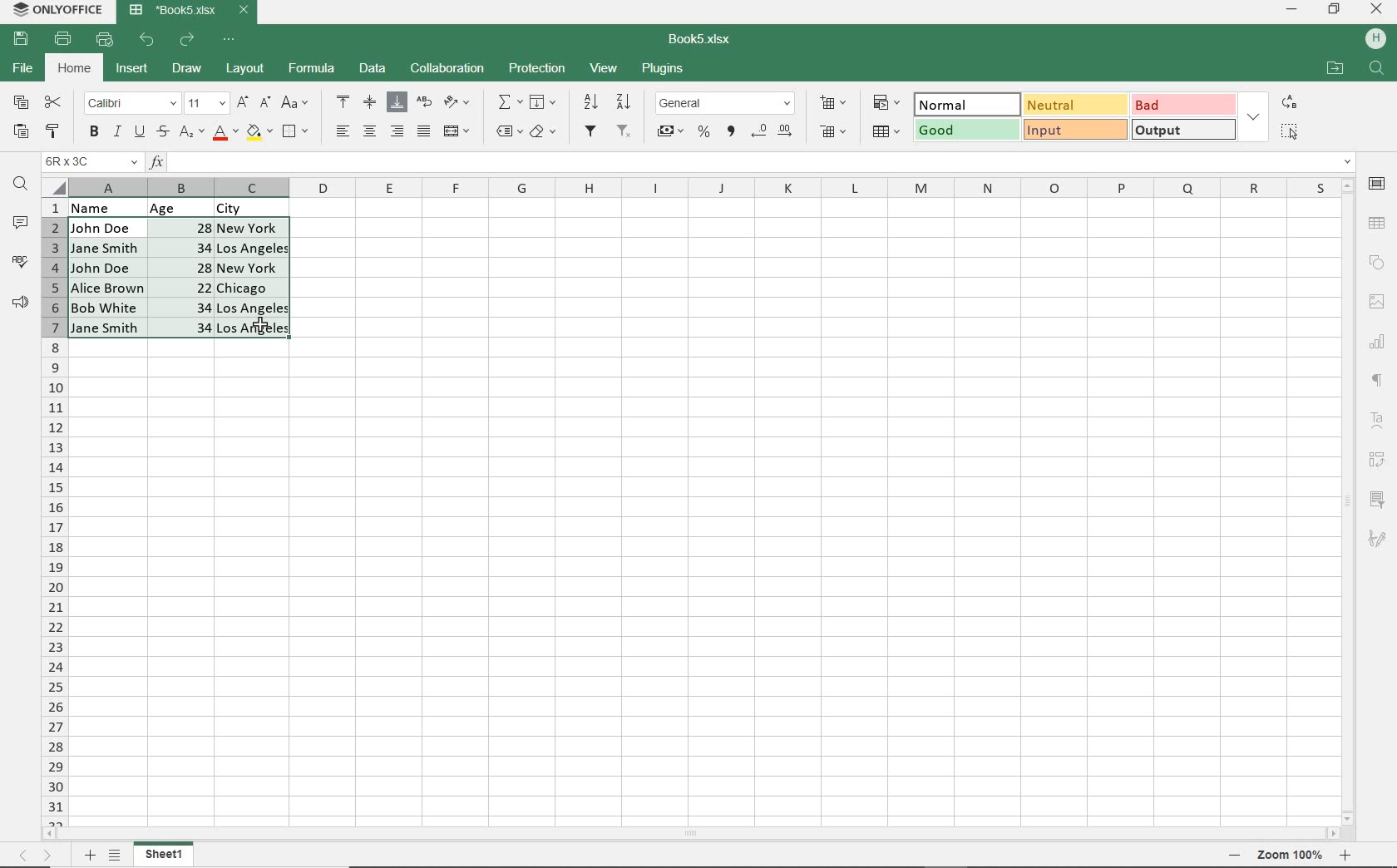 Image resolution: width=1397 pixels, height=868 pixels. I want to click on SIGNATURE, so click(1377, 538).